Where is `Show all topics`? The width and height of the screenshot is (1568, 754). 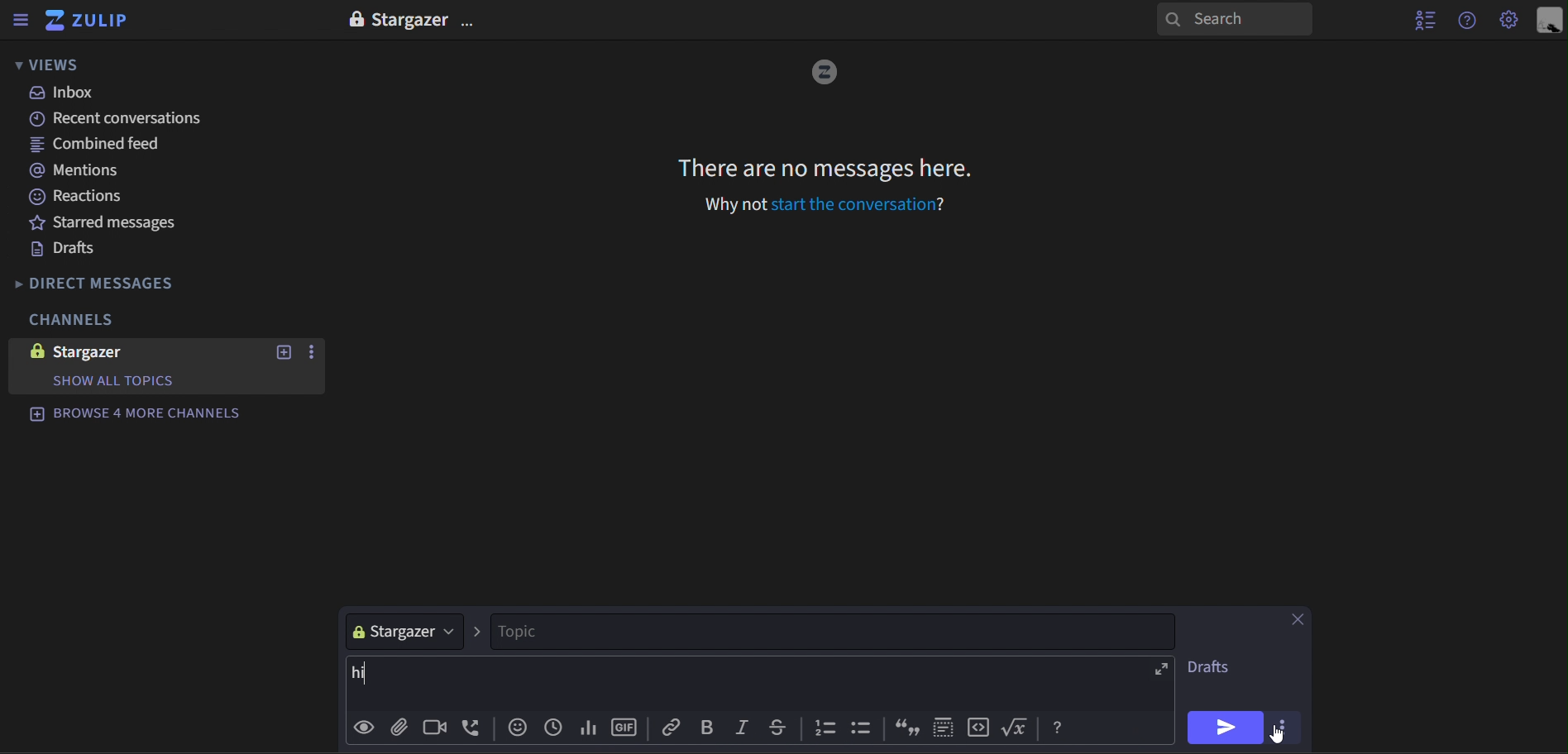 Show all topics is located at coordinates (115, 383).